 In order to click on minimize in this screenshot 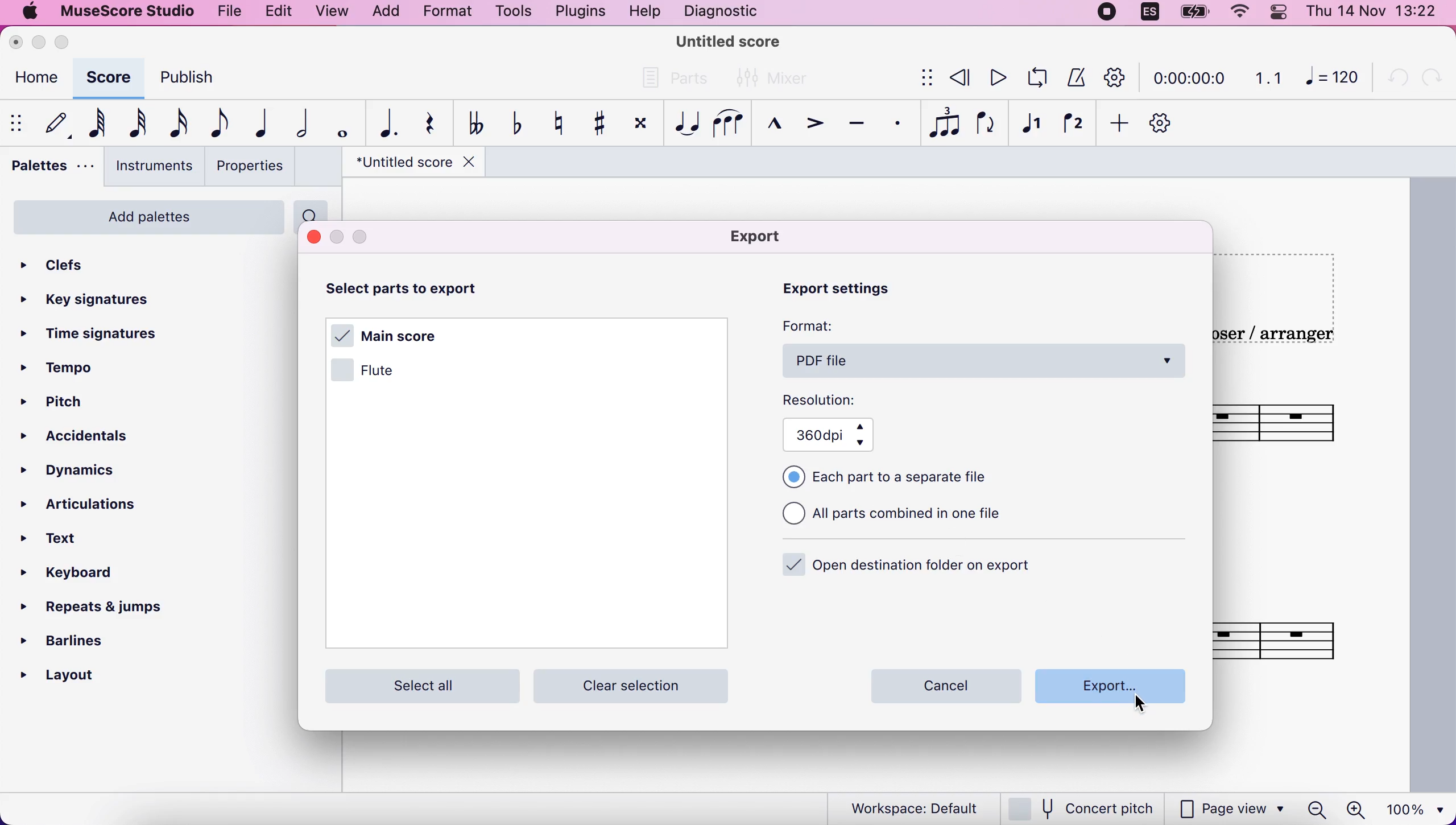, I will do `click(337, 236)`.